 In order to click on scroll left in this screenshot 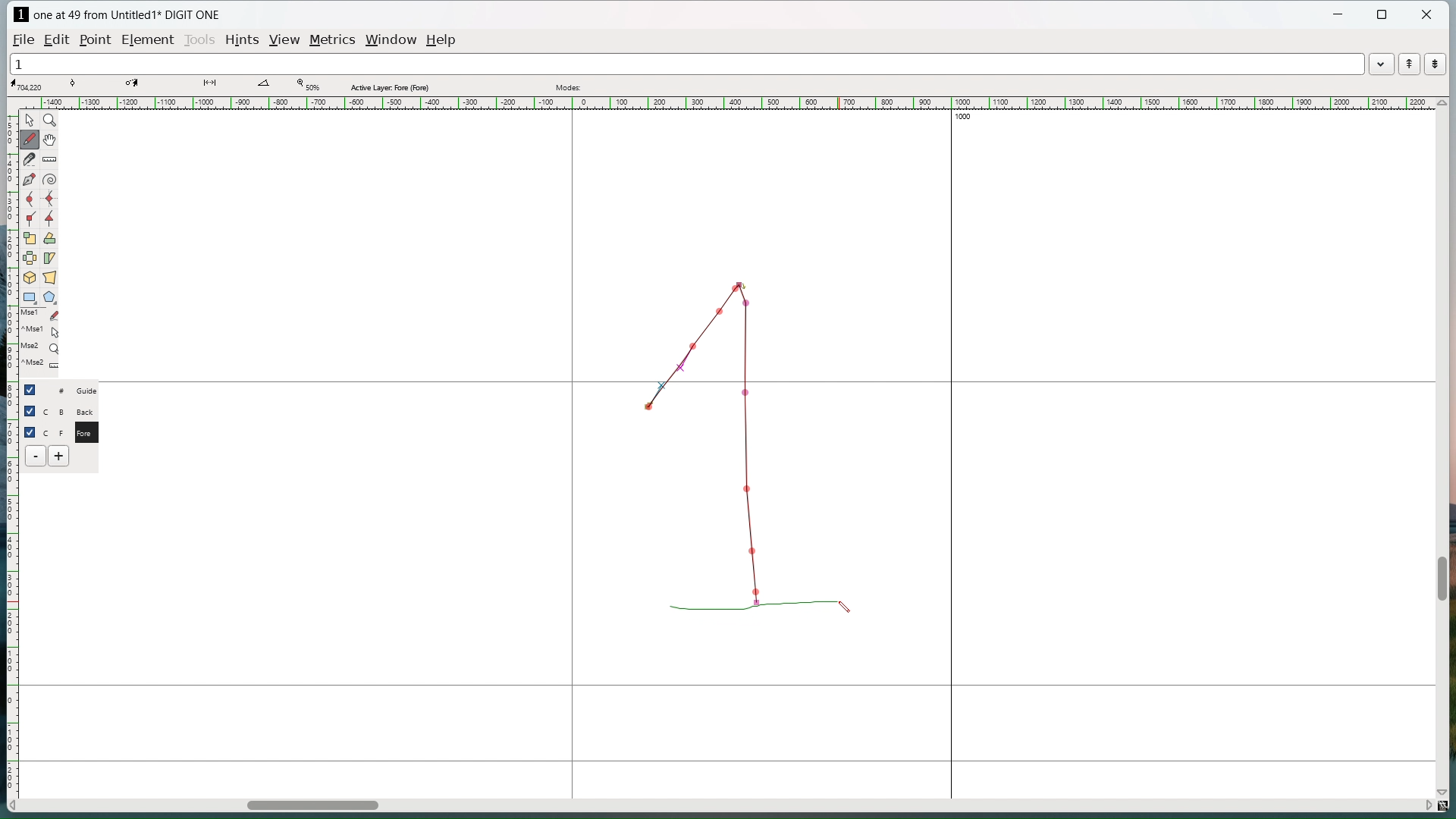, I will do `click(14, 806)`.